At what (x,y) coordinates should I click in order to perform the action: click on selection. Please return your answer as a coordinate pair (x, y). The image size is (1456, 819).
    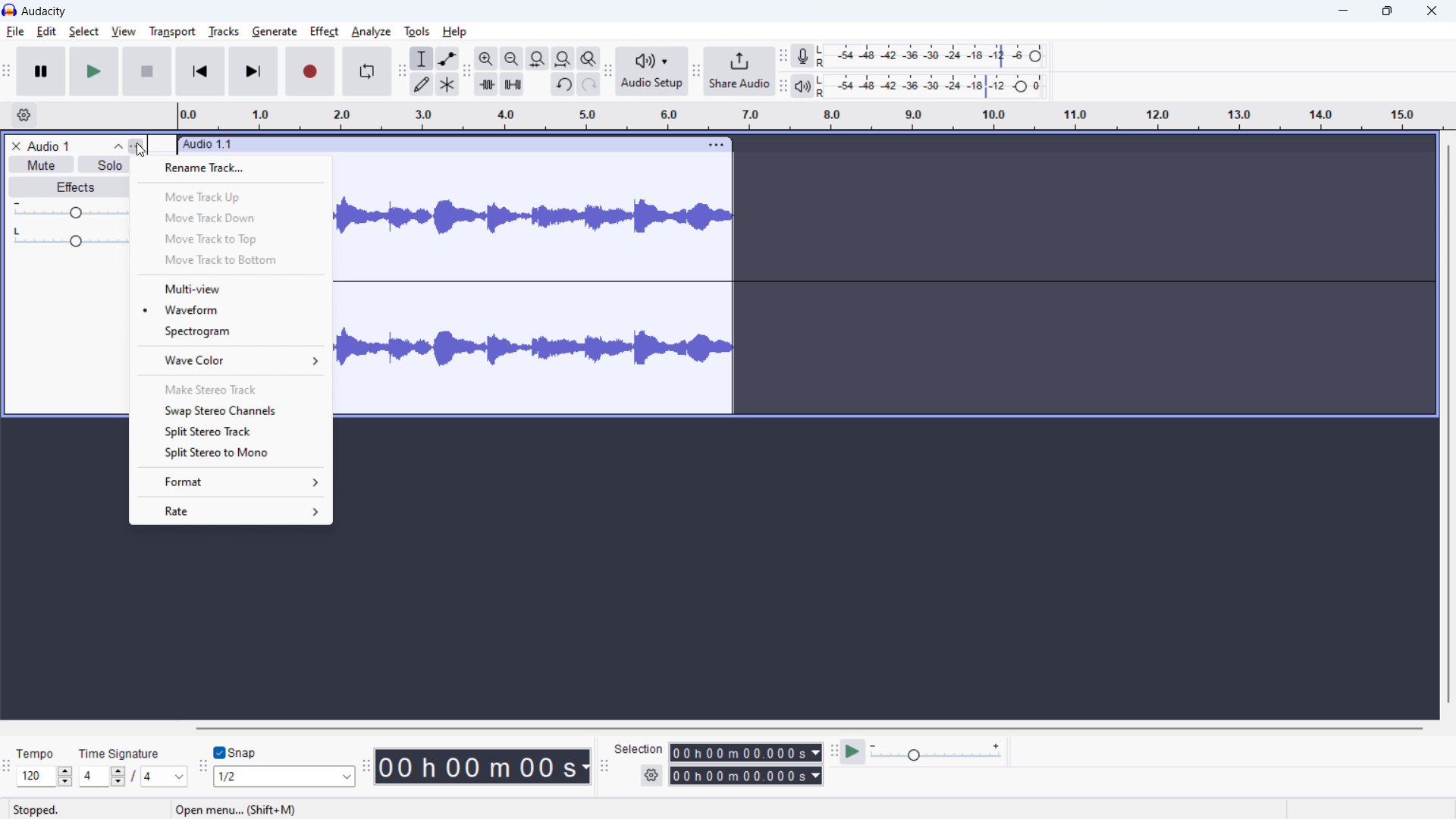
    Looking at the image, I should click on (639, 748).